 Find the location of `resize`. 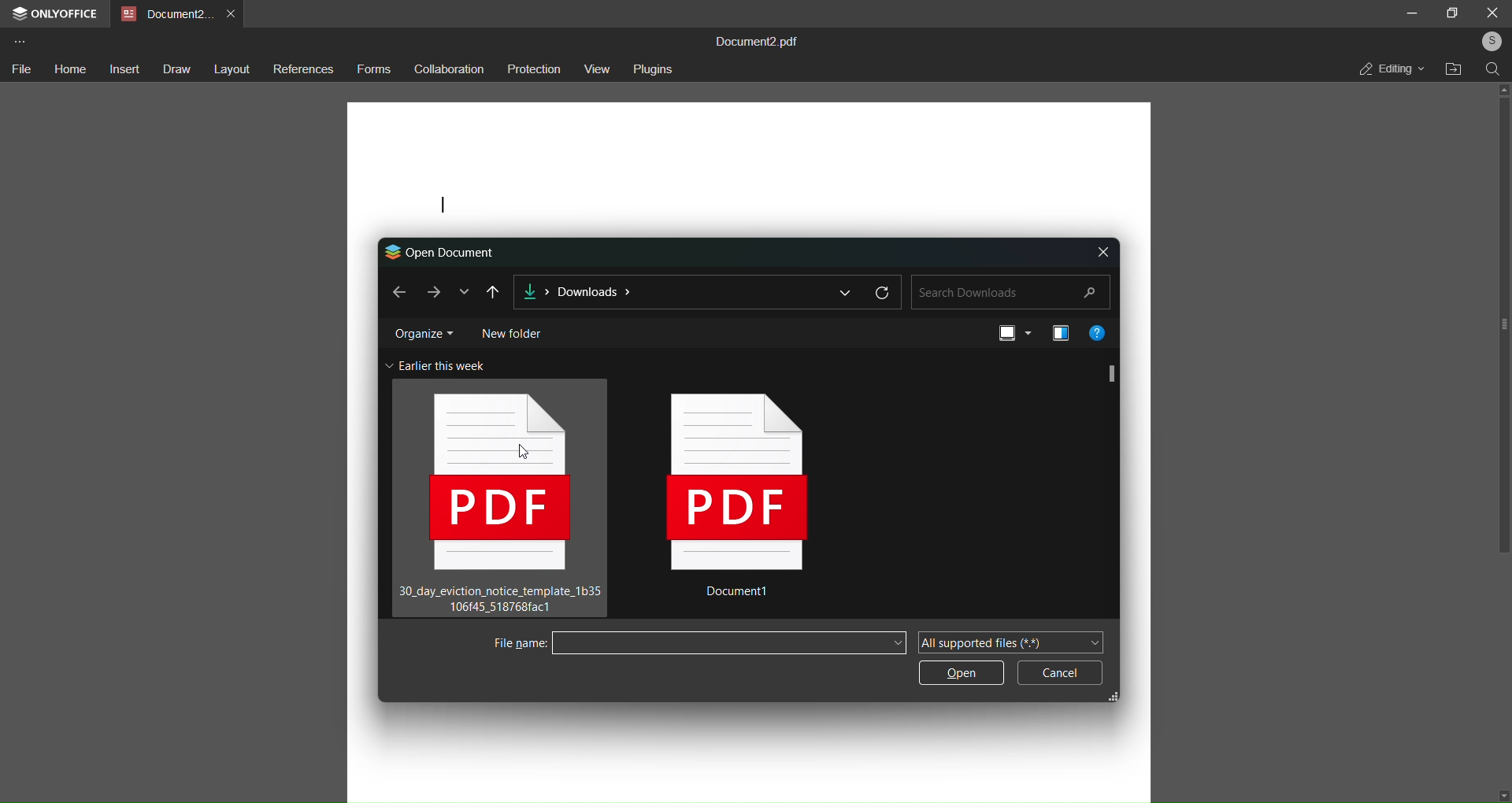

resize is located at coordinates (1121, 695).